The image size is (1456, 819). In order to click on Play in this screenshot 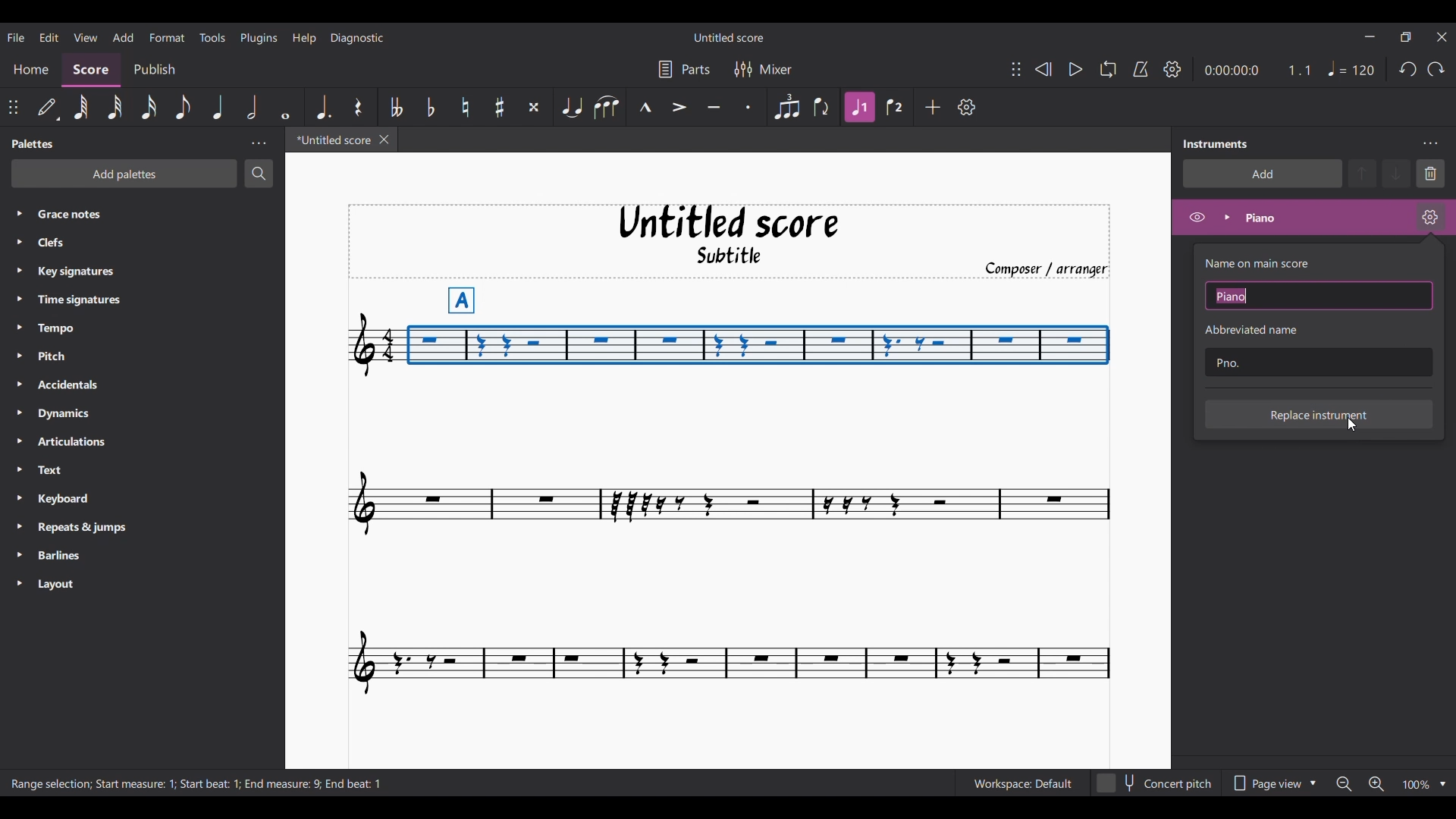, I will do `click(1075, 69)`.